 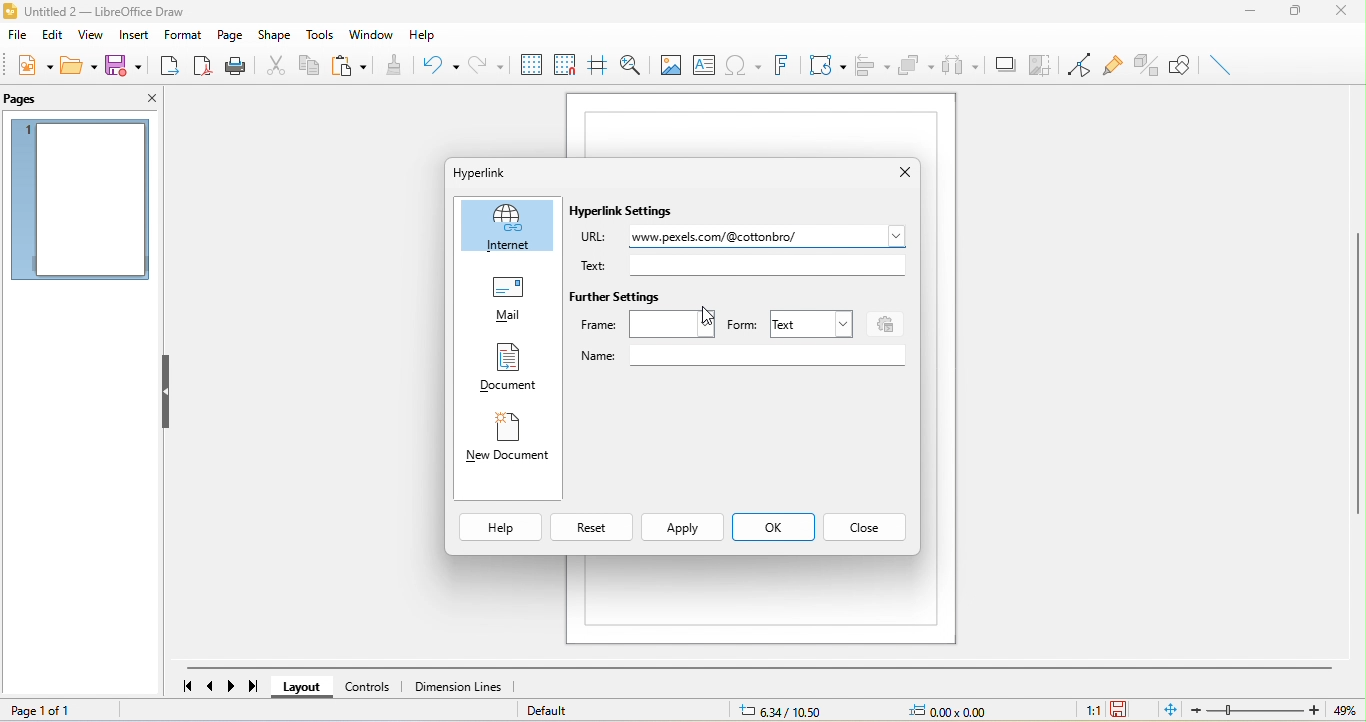 What do you see at coordinates (237, 65) in the screenshot?
I see `print` at bounding box center [237, 65].